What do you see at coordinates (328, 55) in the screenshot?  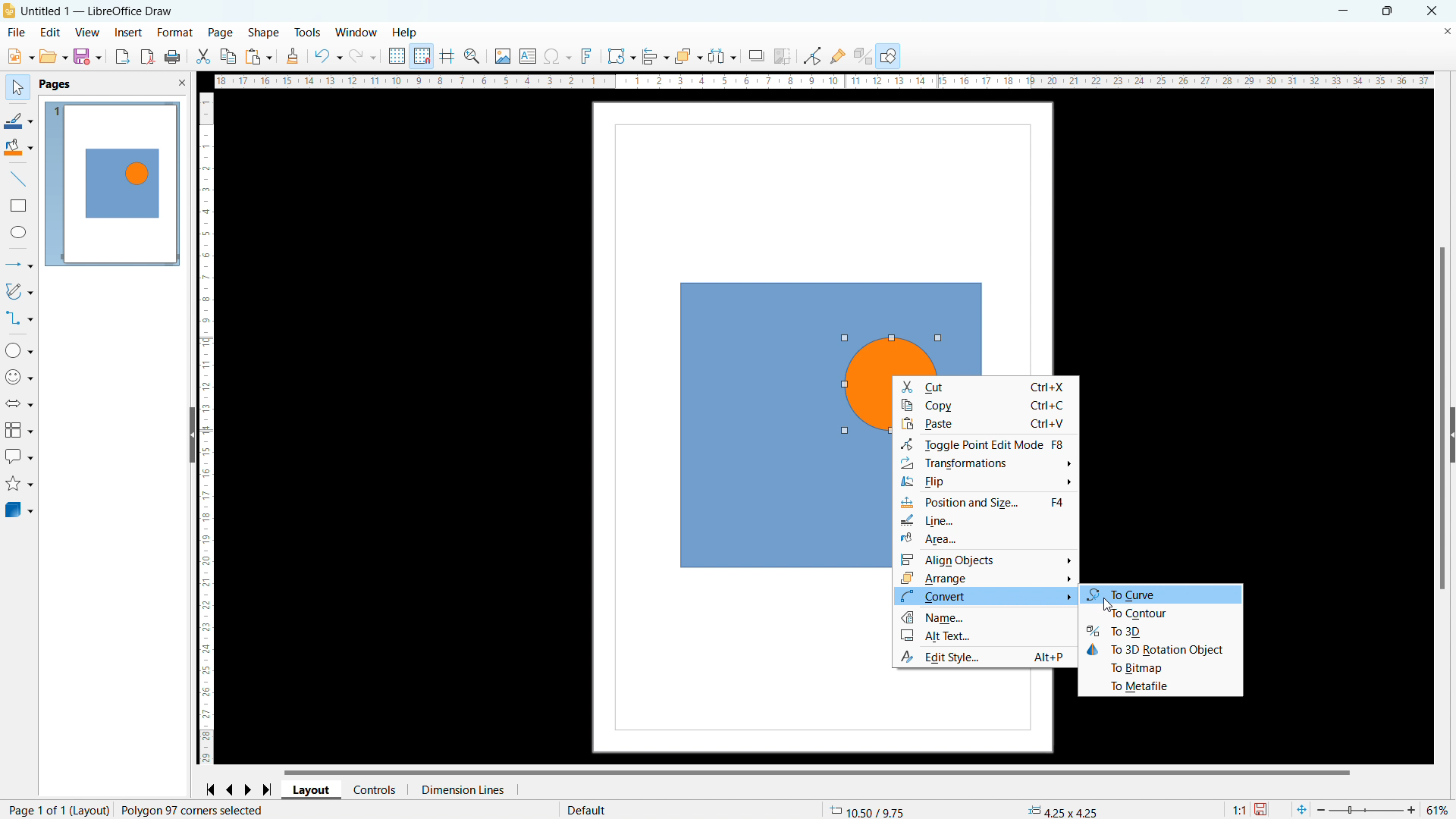 I see `undo` at bounding box center [328, 55].